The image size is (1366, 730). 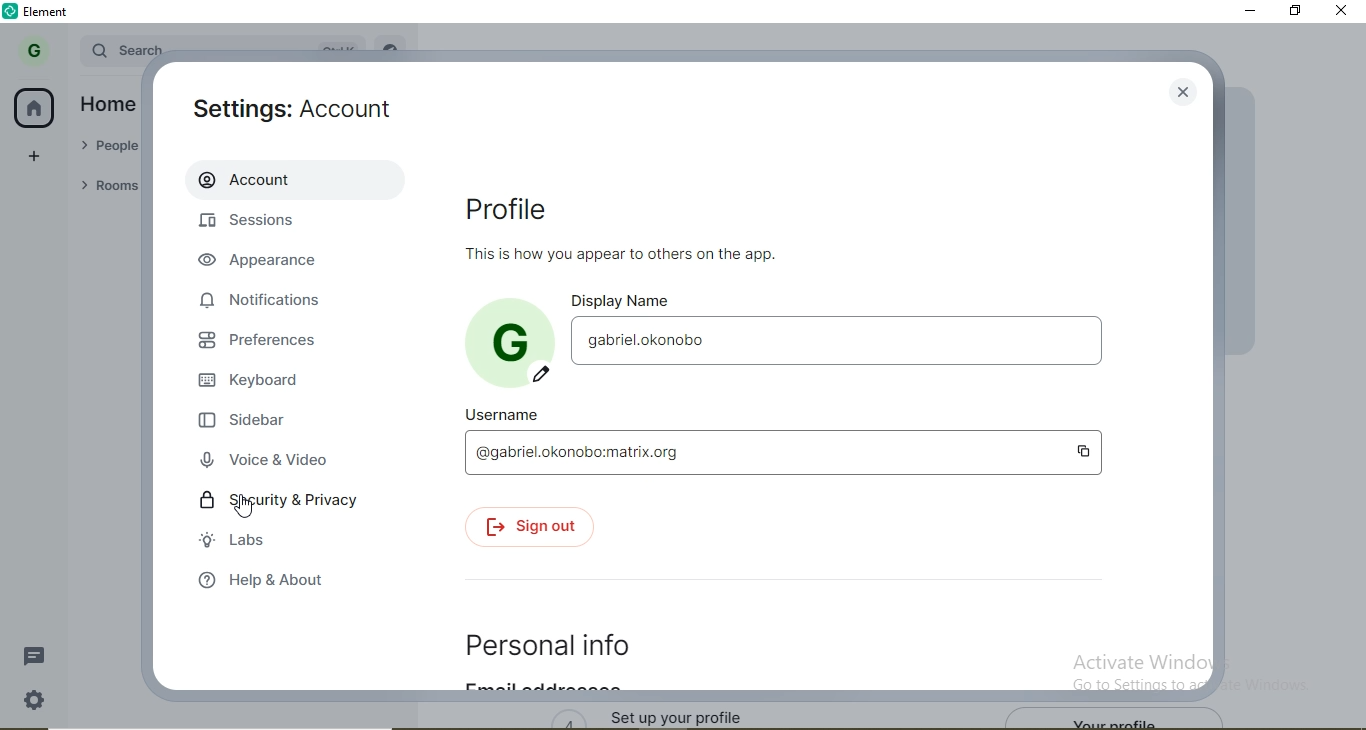 I want to click on home, so click(x=36, y=109).